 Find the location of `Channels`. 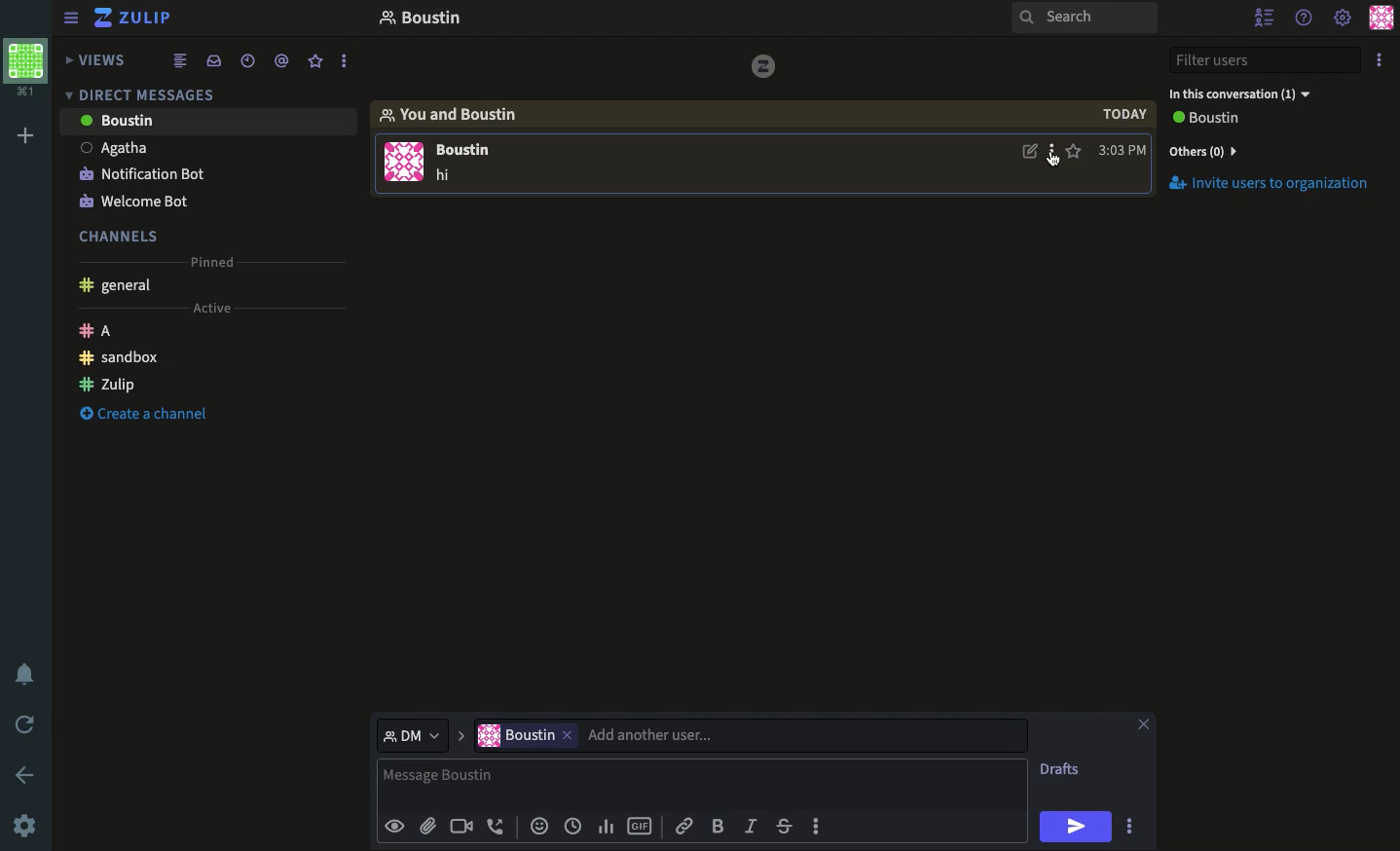

Channels is located at coordinates (122, 234).